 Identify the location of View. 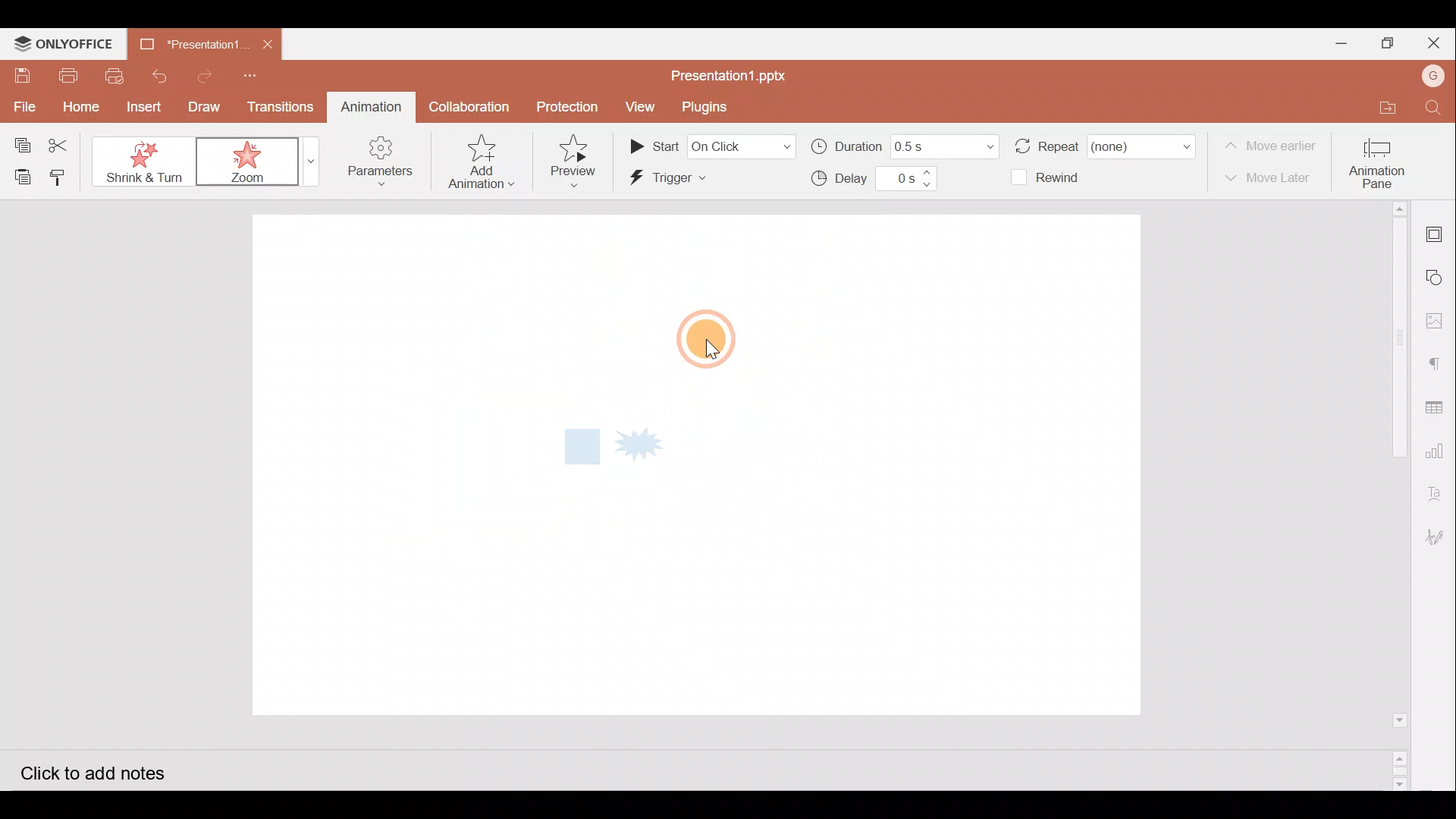
(637, 108).